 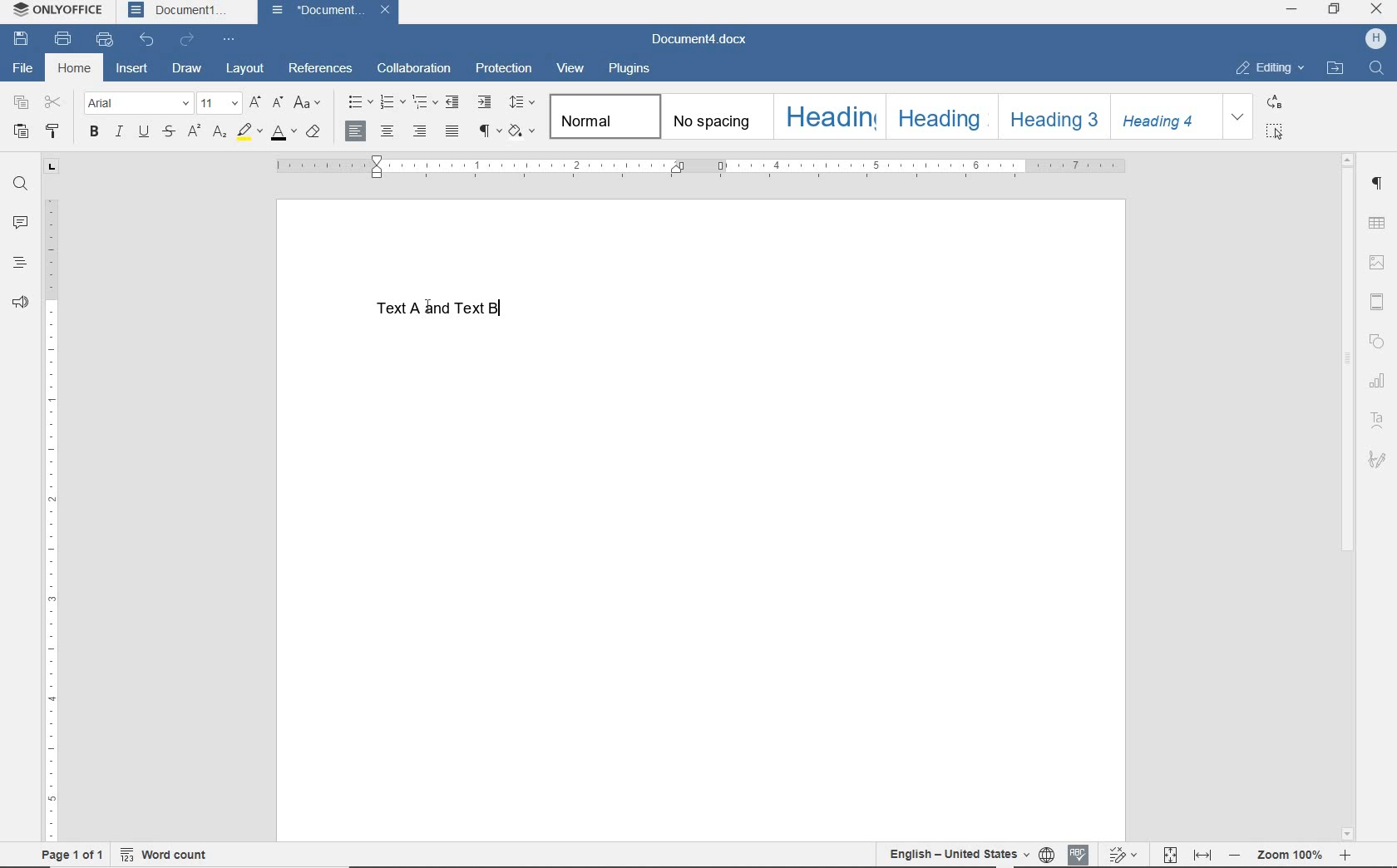 What do you see at coordinates (21, 220) in the screenshot?
I see `COMMENTS` at bounding box center [21, 220].